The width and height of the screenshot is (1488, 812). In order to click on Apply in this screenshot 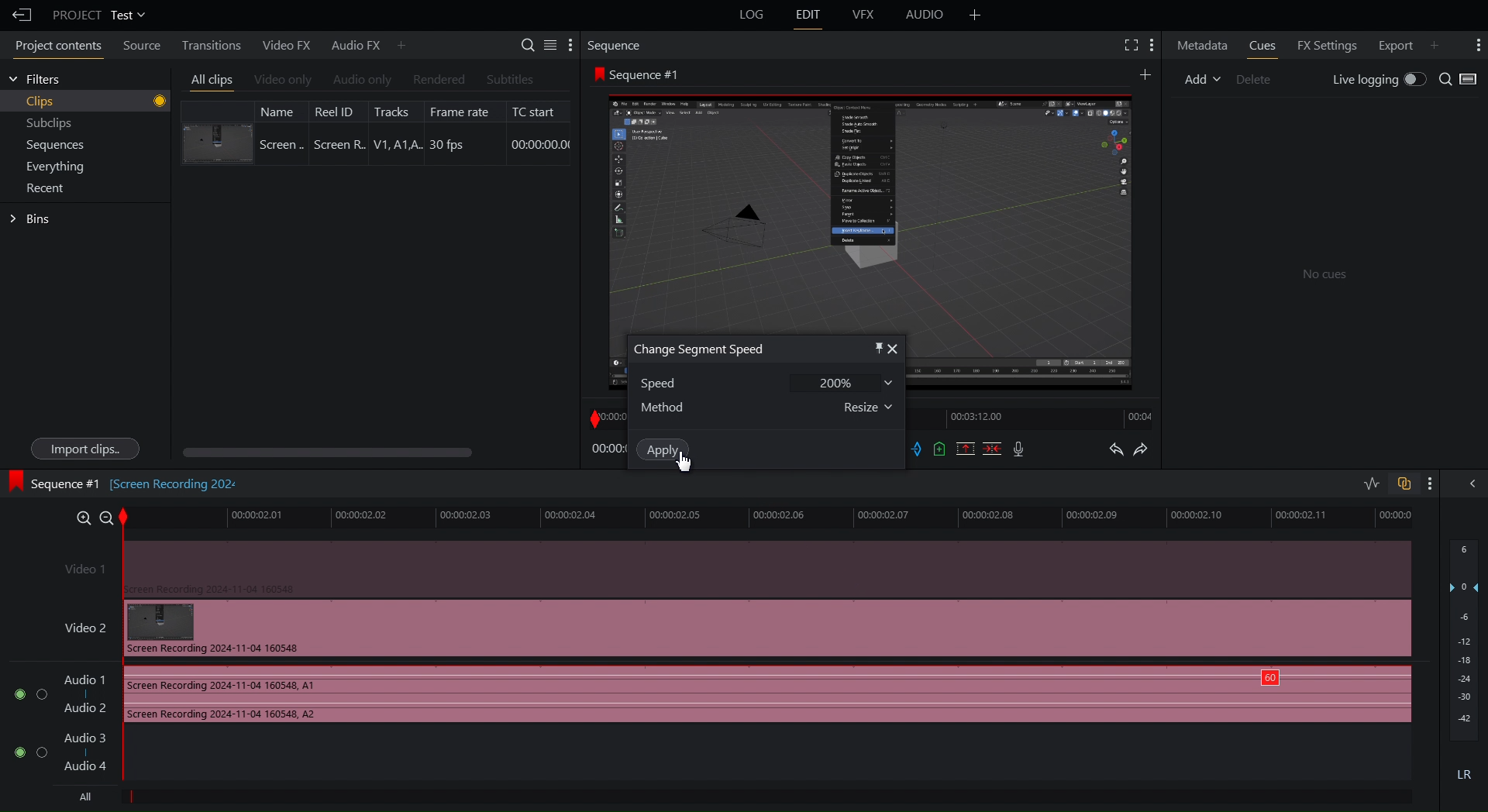, I will do `click(663, 449)`.